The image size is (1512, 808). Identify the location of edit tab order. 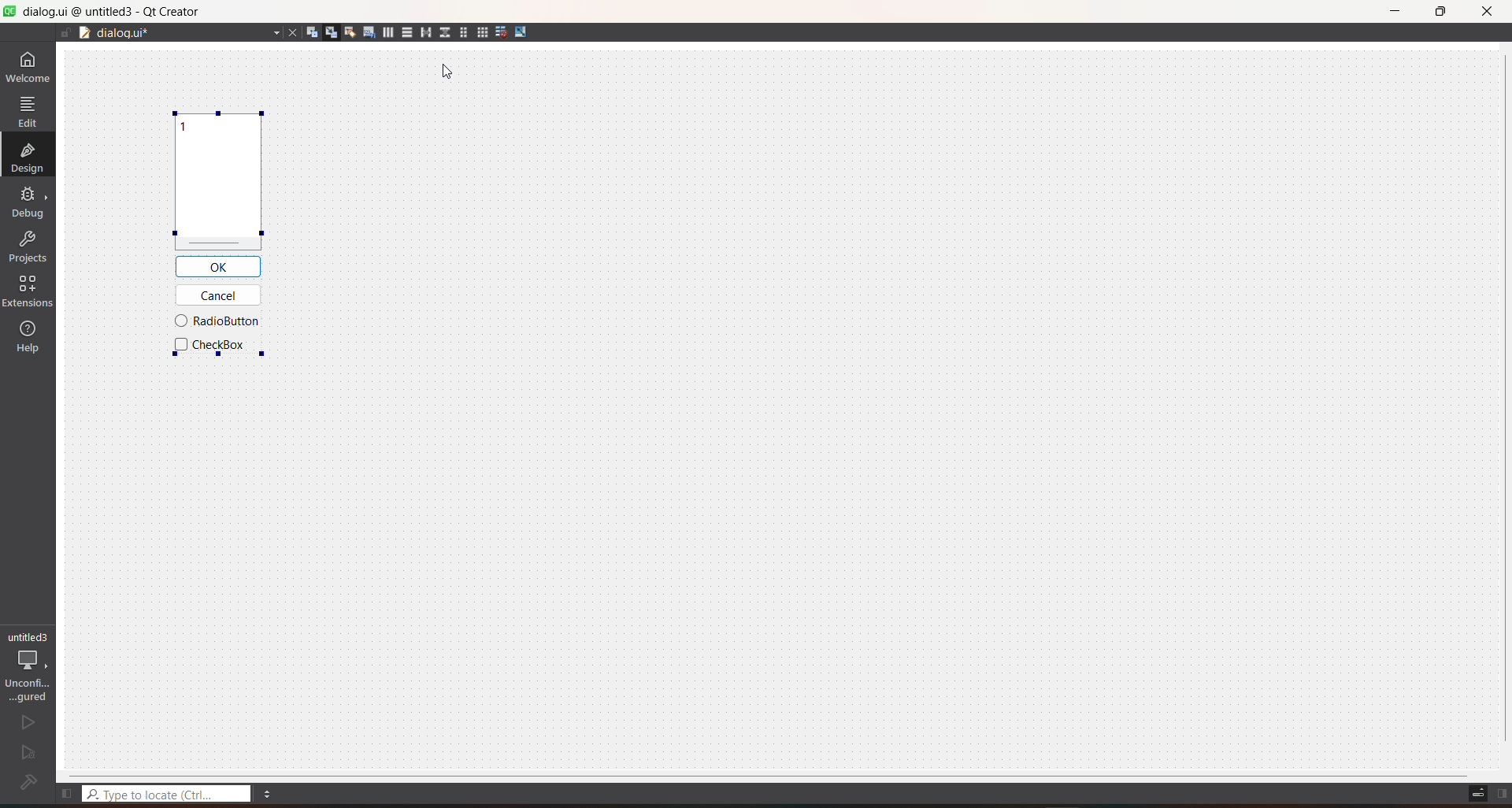
(369, 35).